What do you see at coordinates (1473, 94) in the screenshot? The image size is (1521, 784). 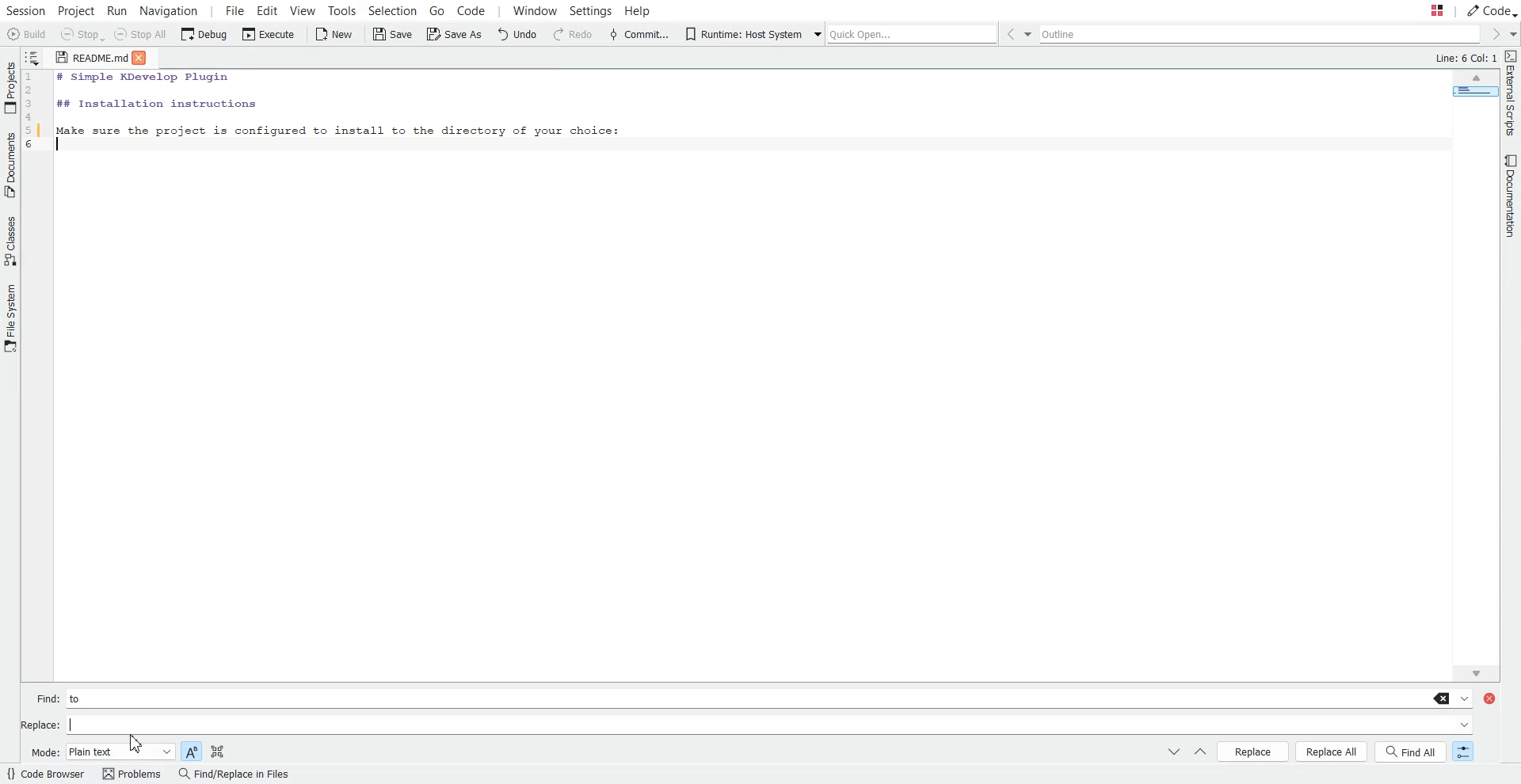 I see `Page Overview` at bounding box center [1473, 94].